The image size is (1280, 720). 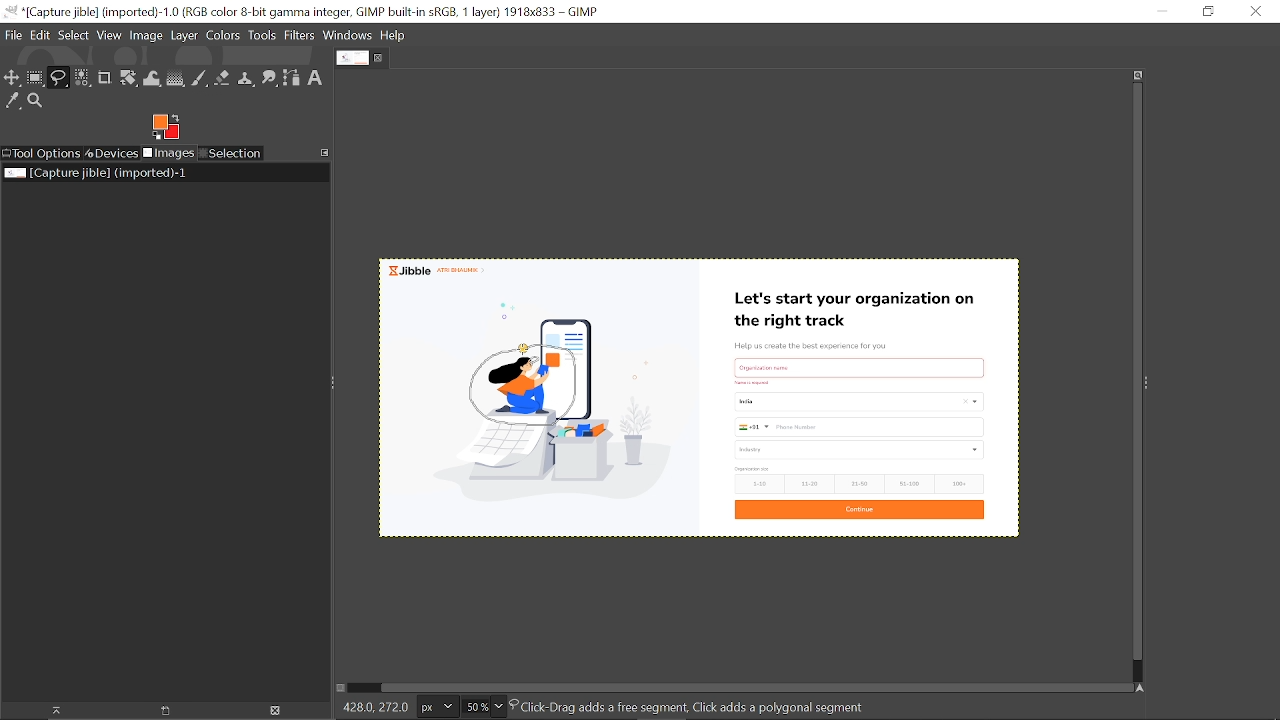 I want to click on Edit, so click(x=42, y=35).